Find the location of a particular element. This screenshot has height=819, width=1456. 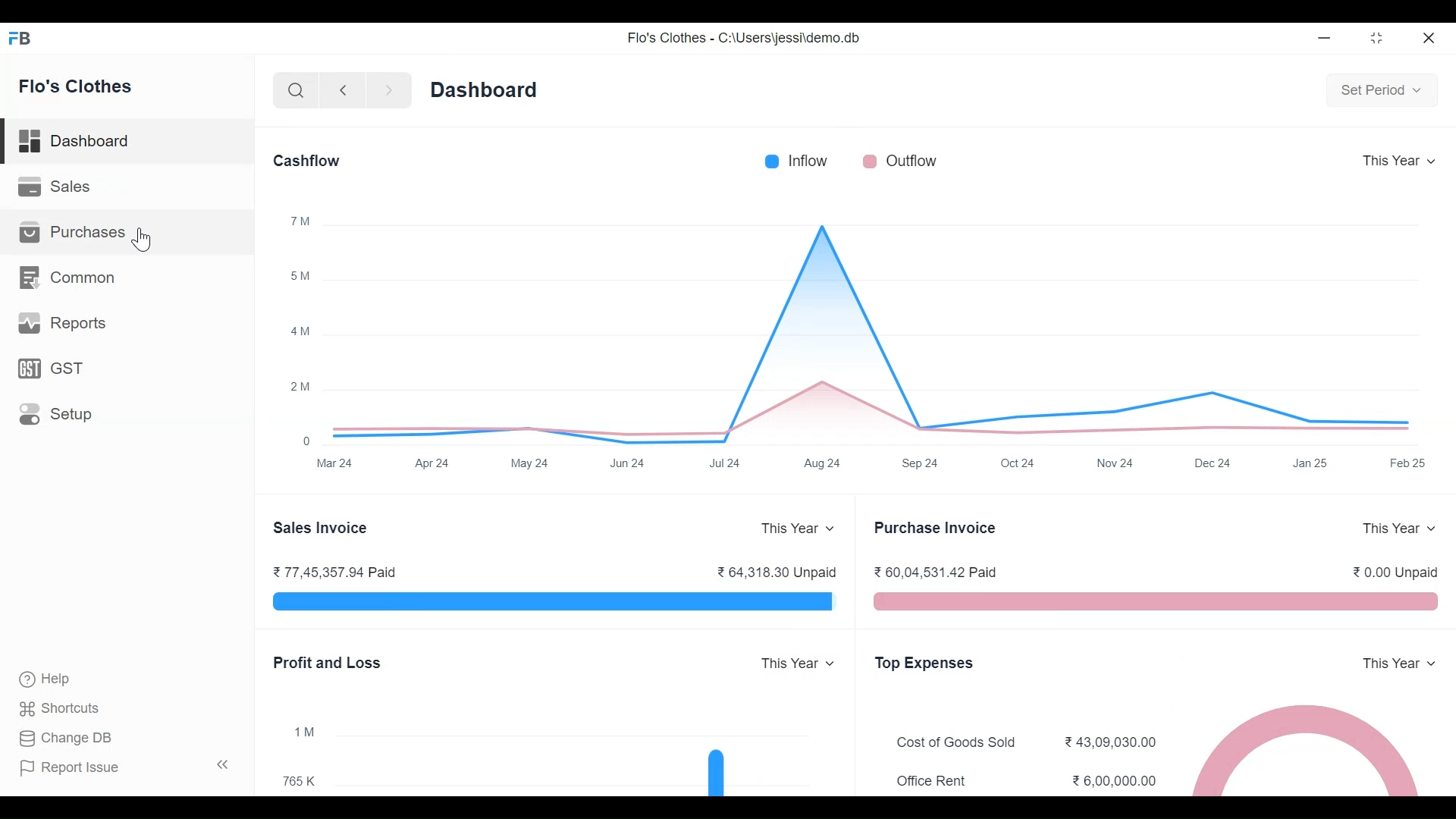

Frappe Desktop icon is located at coordinates (24, 39).